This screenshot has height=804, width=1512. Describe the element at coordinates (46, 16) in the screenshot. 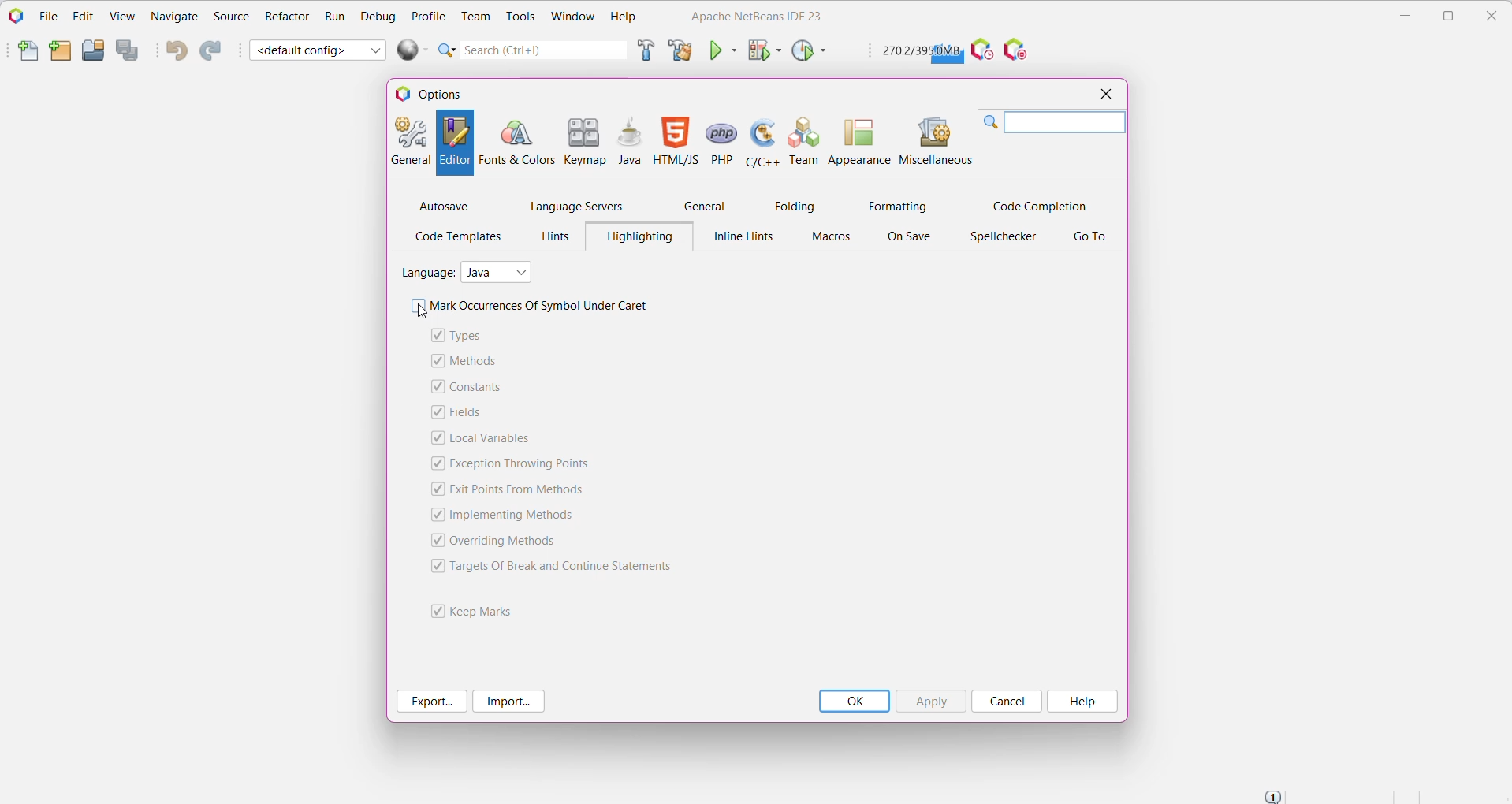

I see `File` at that location.